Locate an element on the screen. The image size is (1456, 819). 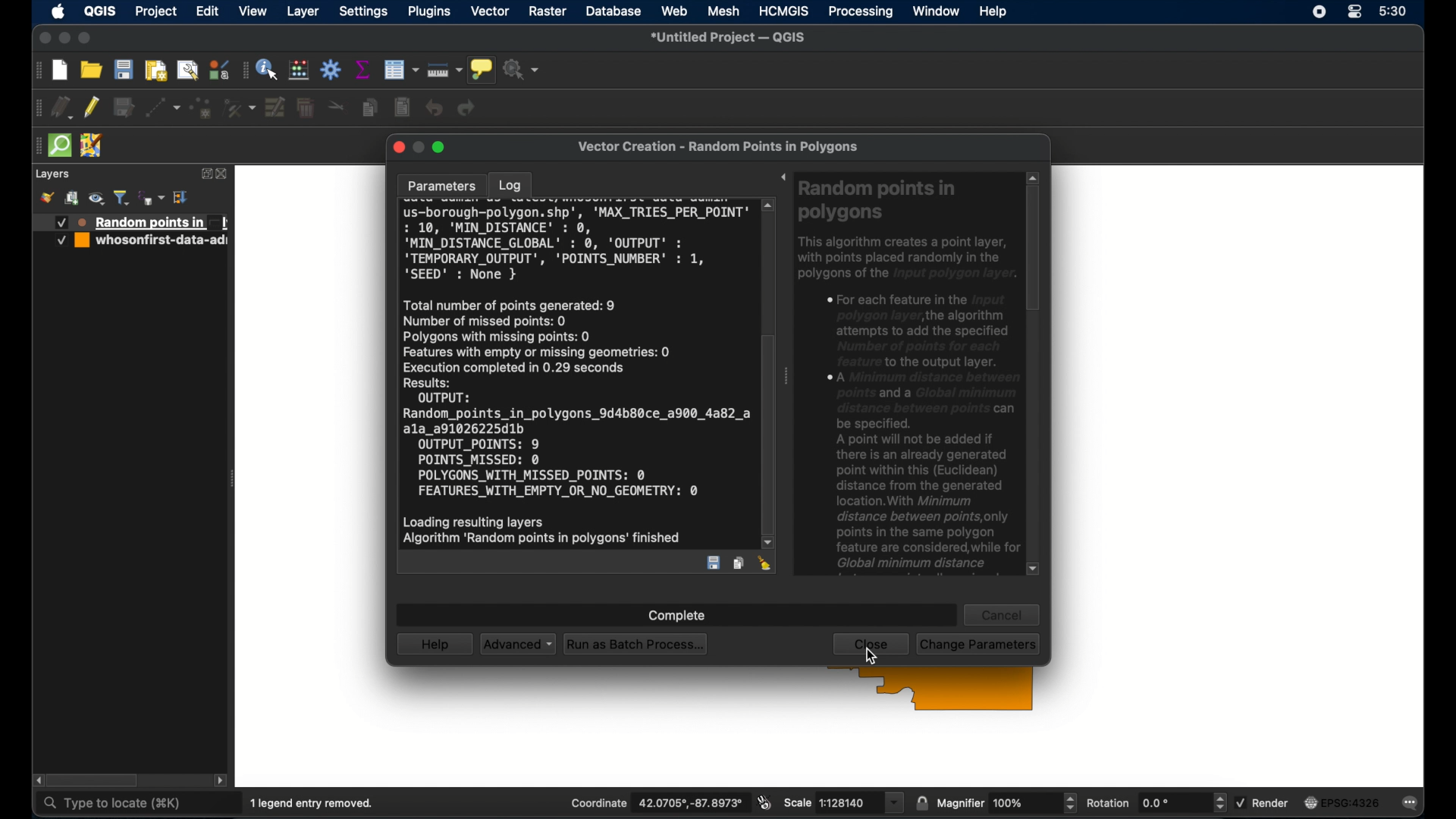
database is located at coordinates (613, 11).